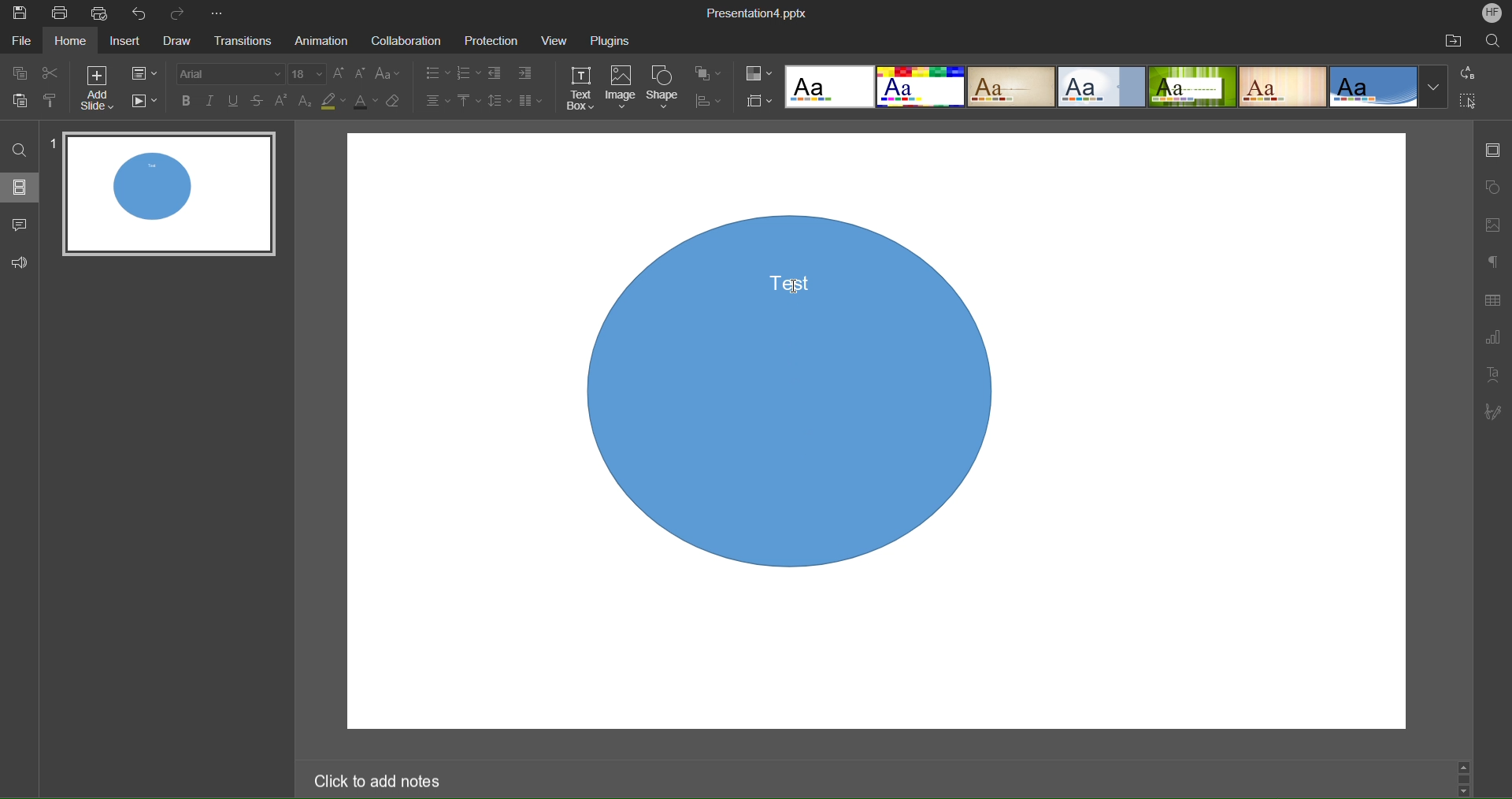  What do you see at coordinates (665, 88) in the screenshot?
I see `Shape` at bounding box center [665, 88].